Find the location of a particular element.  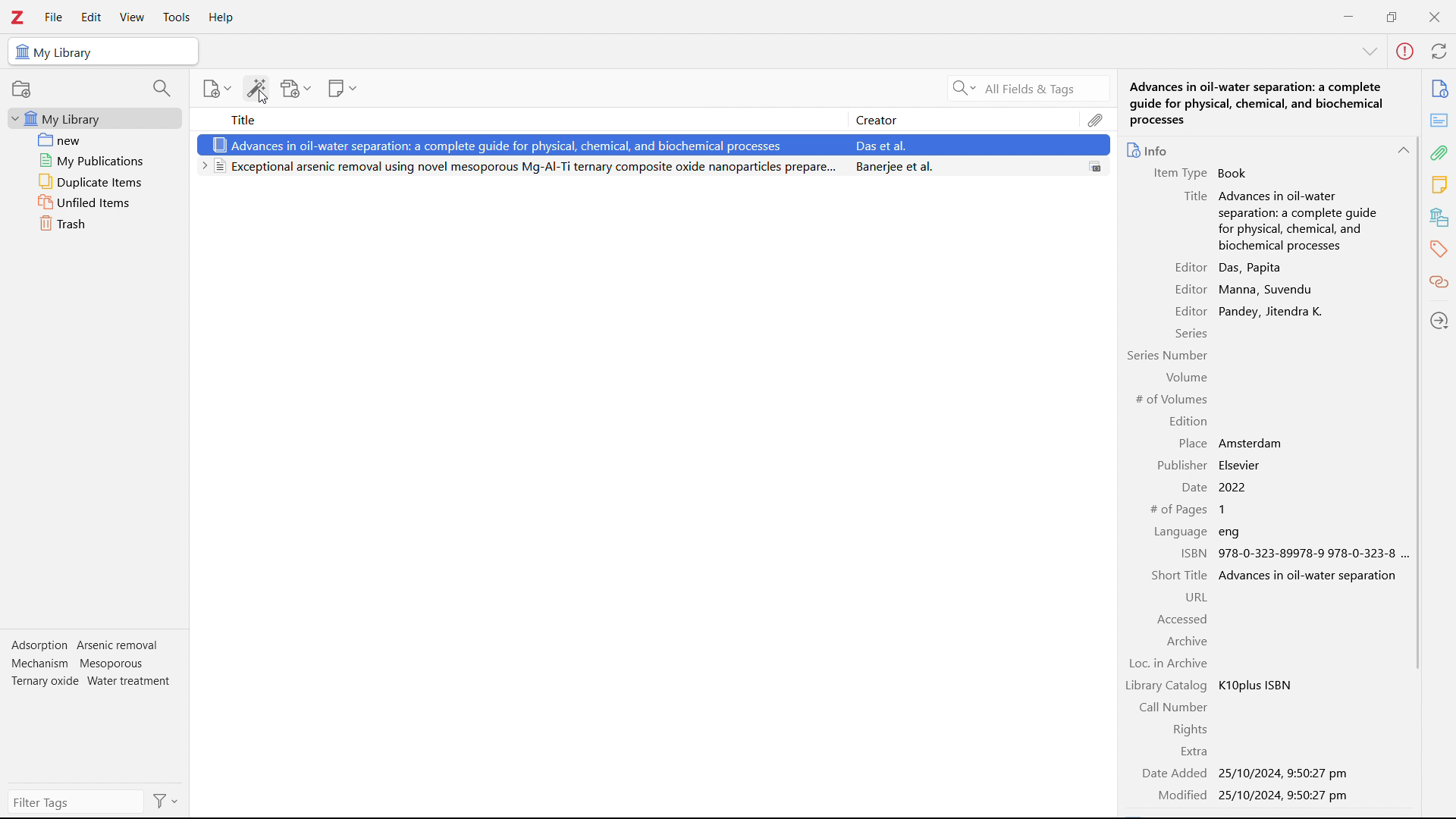

maximize is located at coordinates (1392, 15).